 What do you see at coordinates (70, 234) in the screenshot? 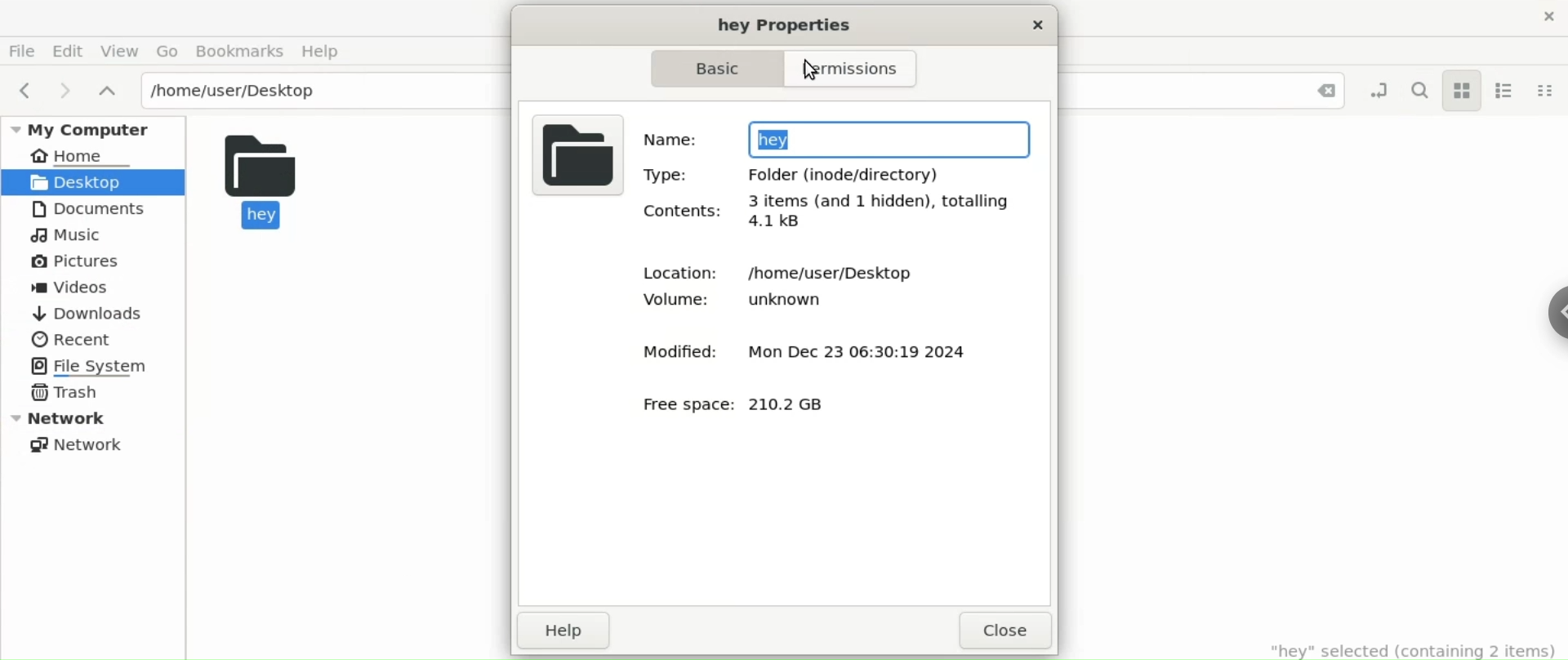
I see `Music` at bounding box center [70, 234].